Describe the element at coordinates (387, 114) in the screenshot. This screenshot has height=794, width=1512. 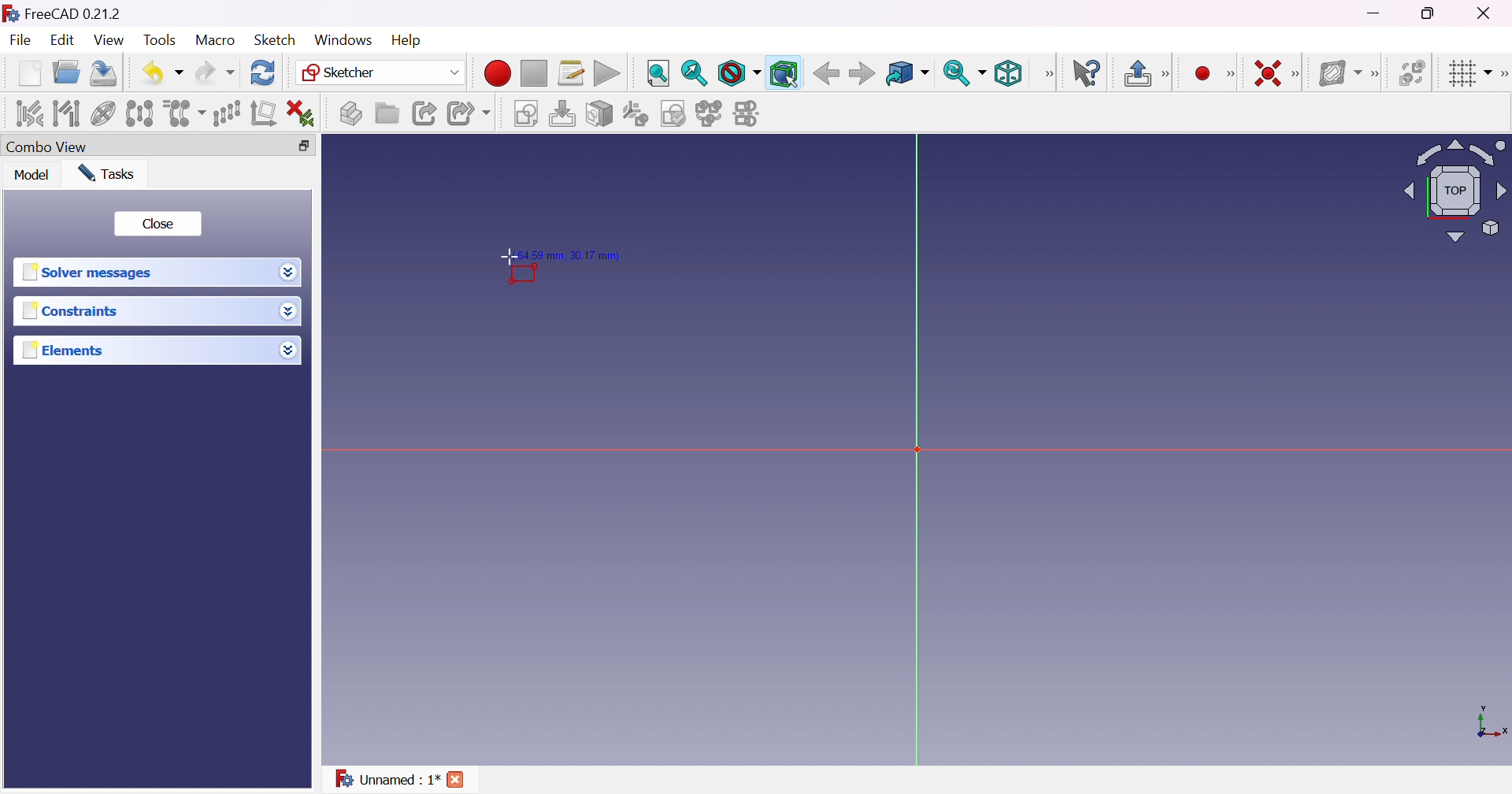
I see `Create group` at that location.